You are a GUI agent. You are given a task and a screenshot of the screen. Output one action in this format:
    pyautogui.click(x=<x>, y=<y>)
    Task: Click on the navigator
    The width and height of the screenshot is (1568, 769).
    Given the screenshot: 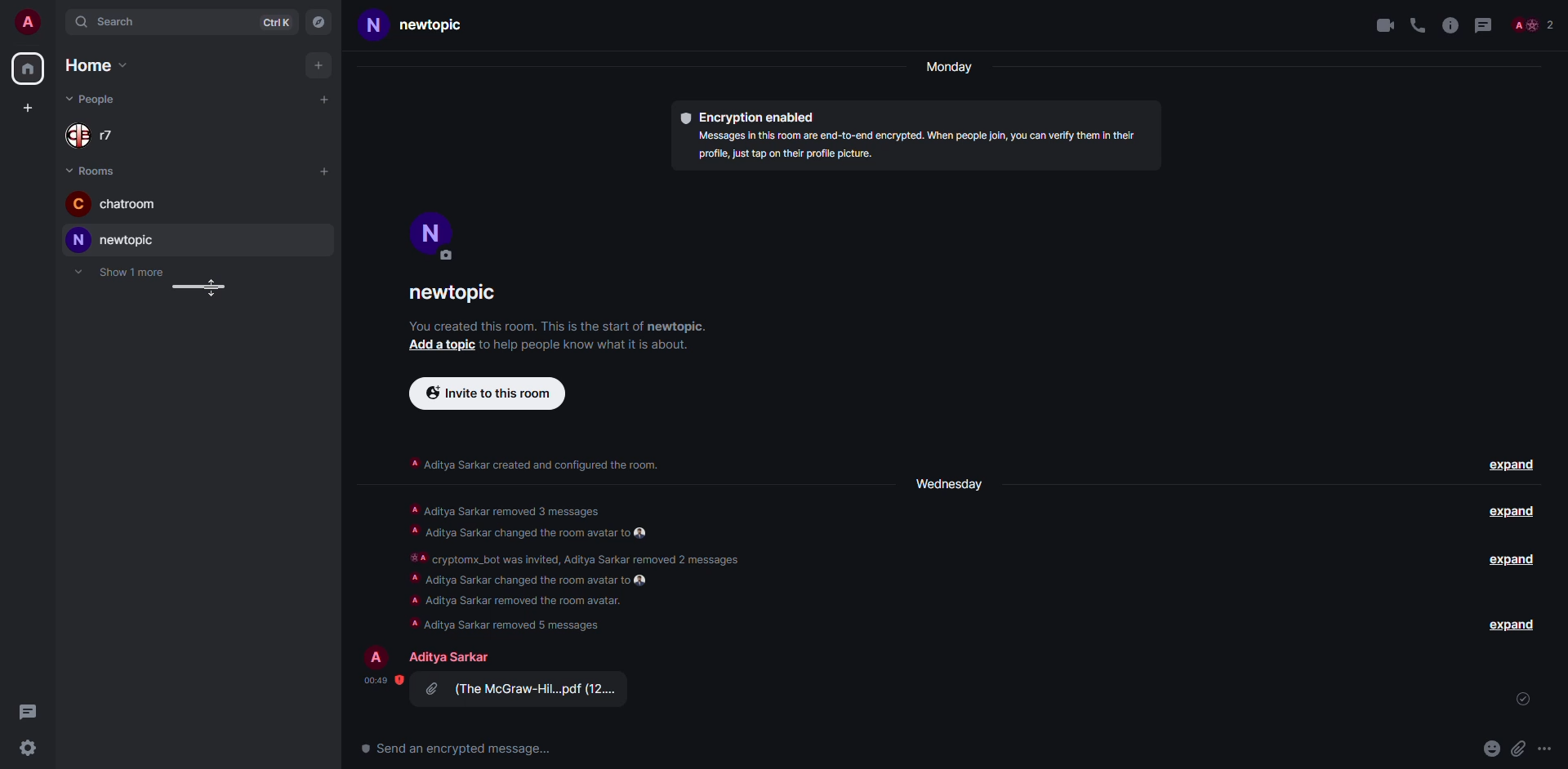 What is the action you would take?
    pyautogui.click(x=319, y=23)
    